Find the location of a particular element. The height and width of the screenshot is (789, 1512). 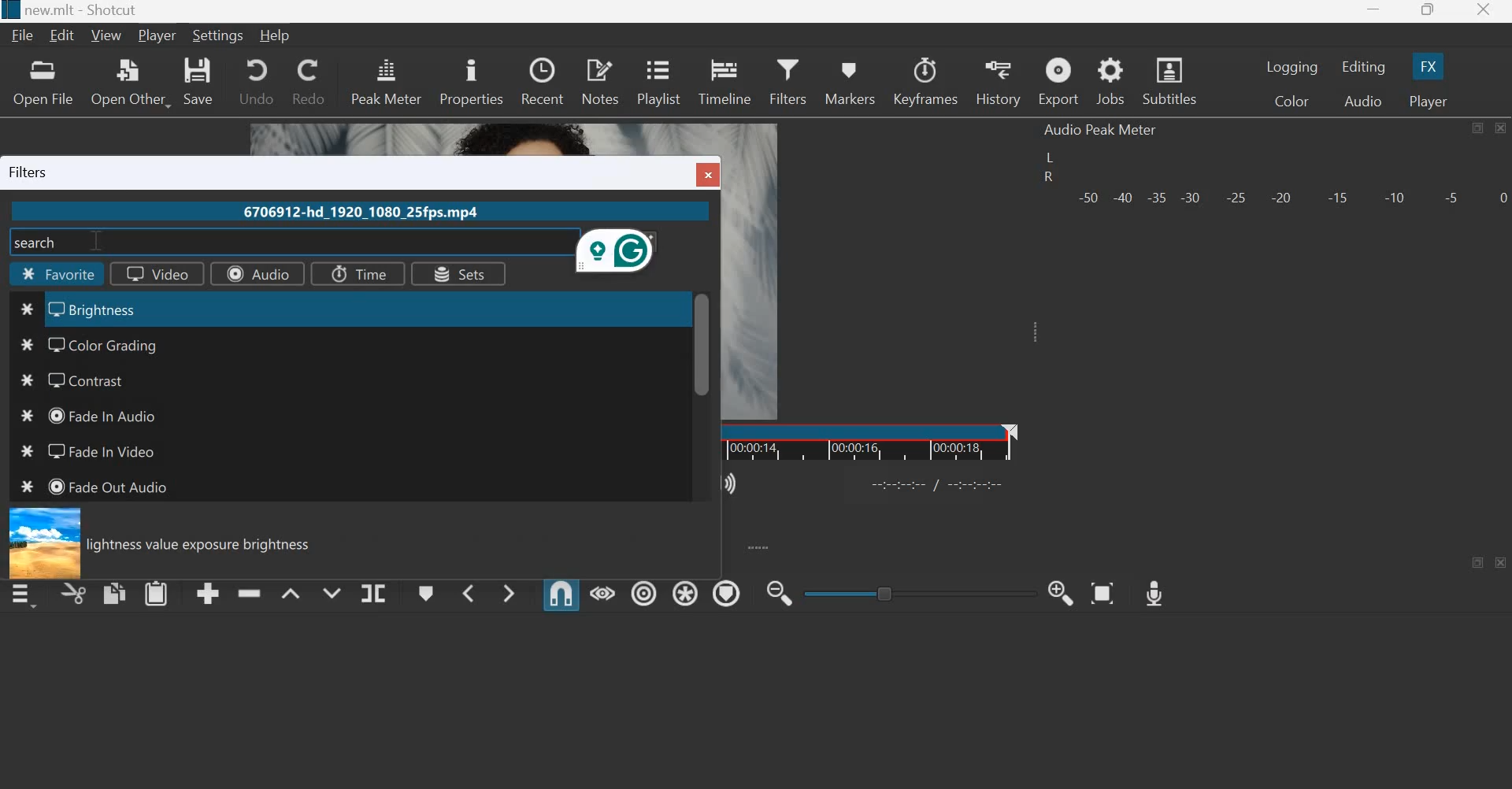

Brightness is located at coordinates (110, 309).